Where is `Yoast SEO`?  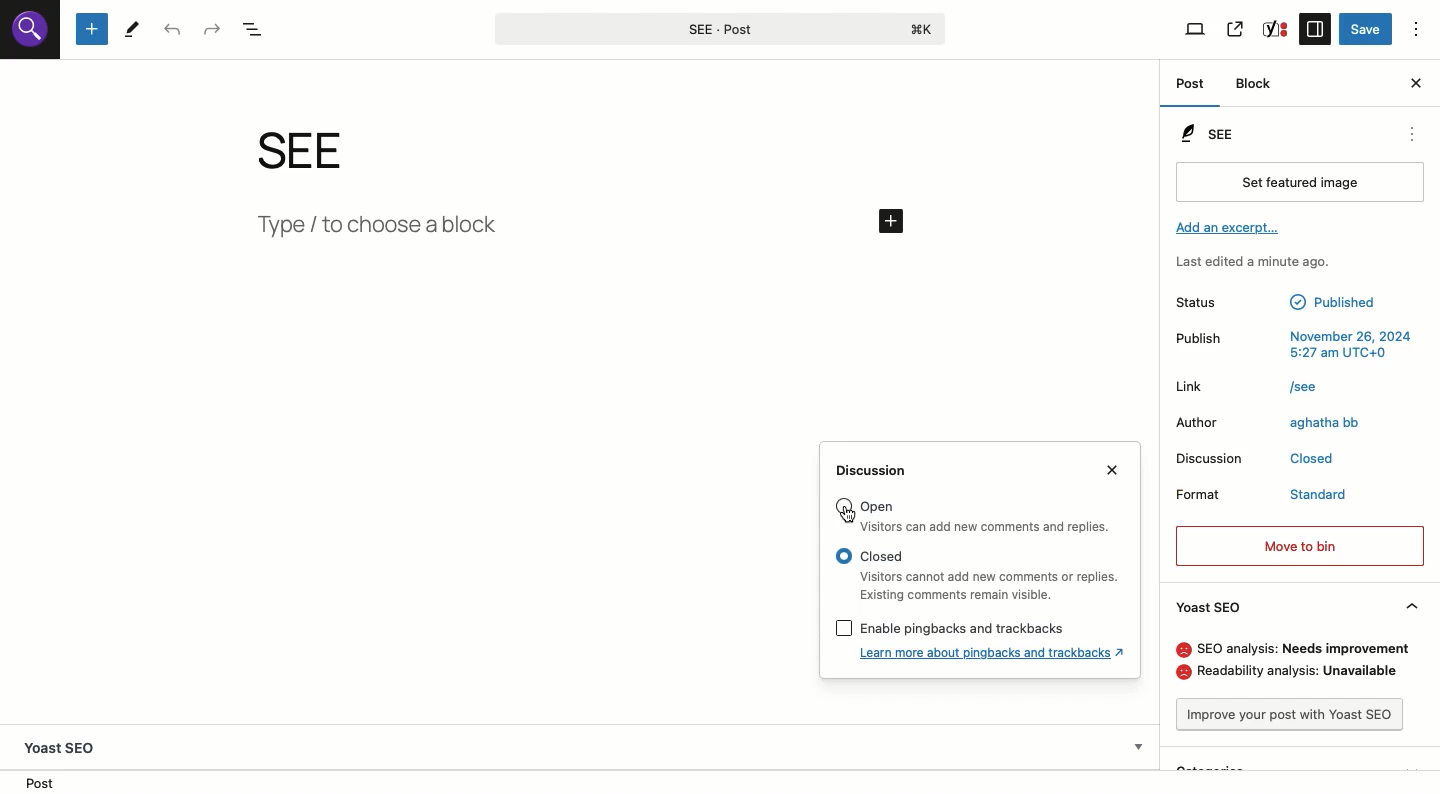
Yoast SEO is located at coordinates (67, 743).